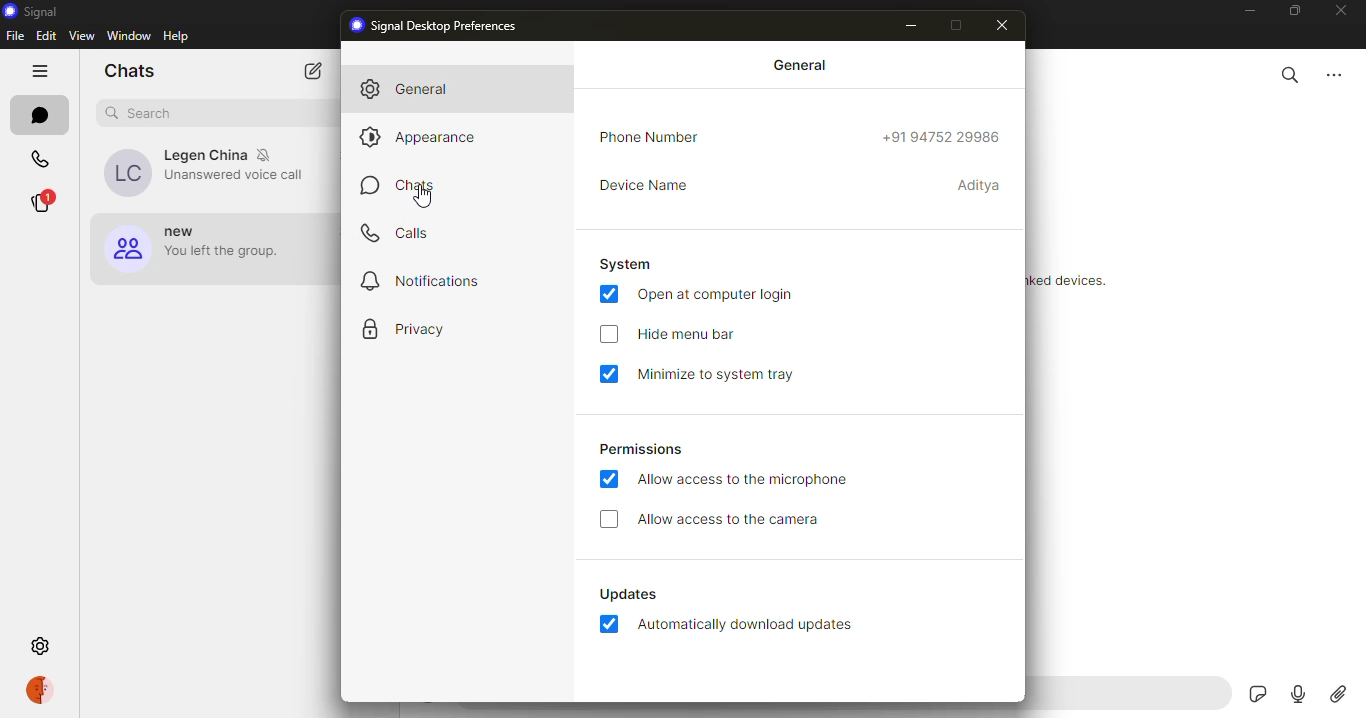 Image resolution: width=1366 pixels, height=718 pixels. I want to click on maximize, so click(955, 24).